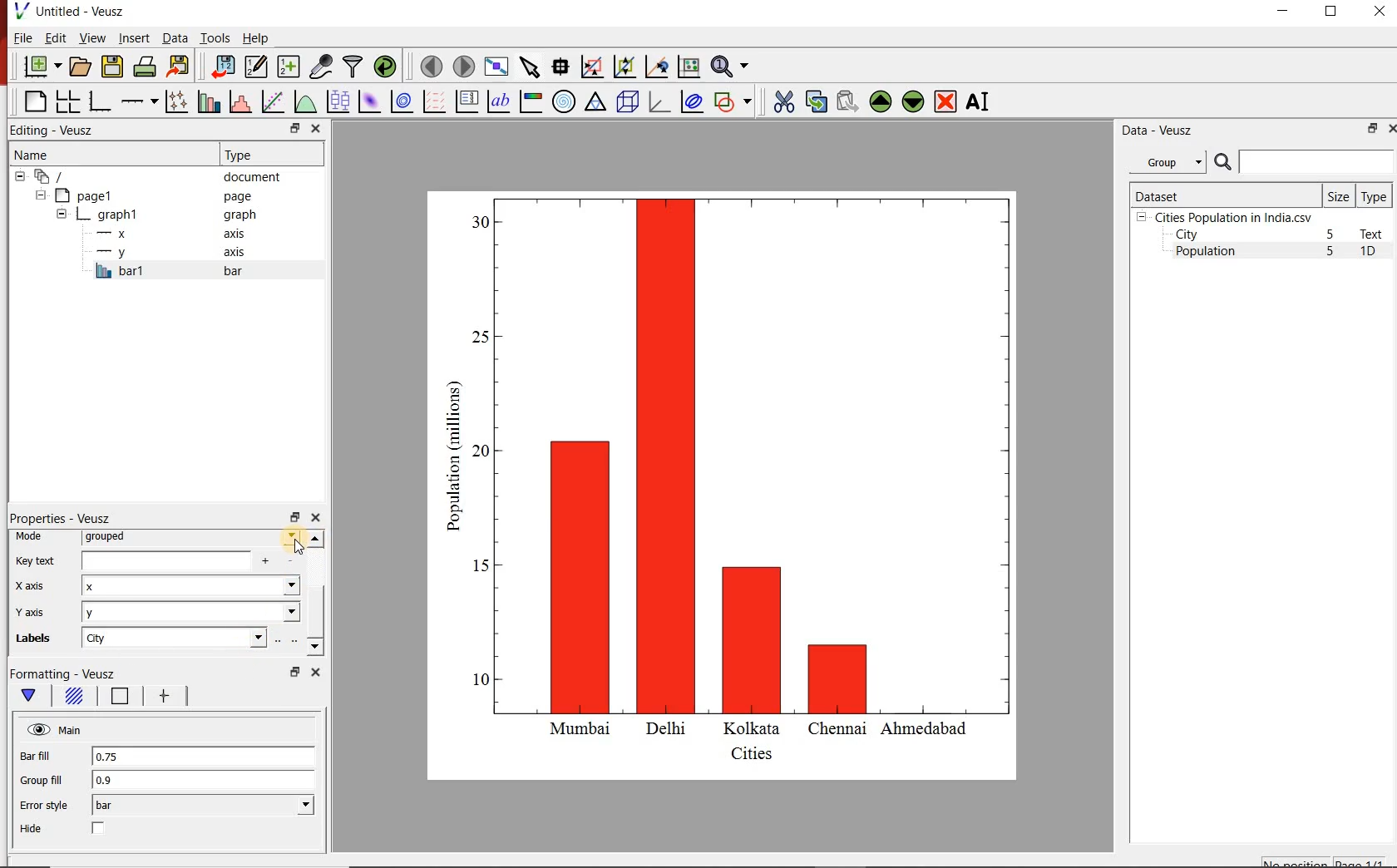 The width and height of the screenshot is (1397, 868). Describe the element at coordinates (33, 829) in the screenshot. I see `Hide` at that location.